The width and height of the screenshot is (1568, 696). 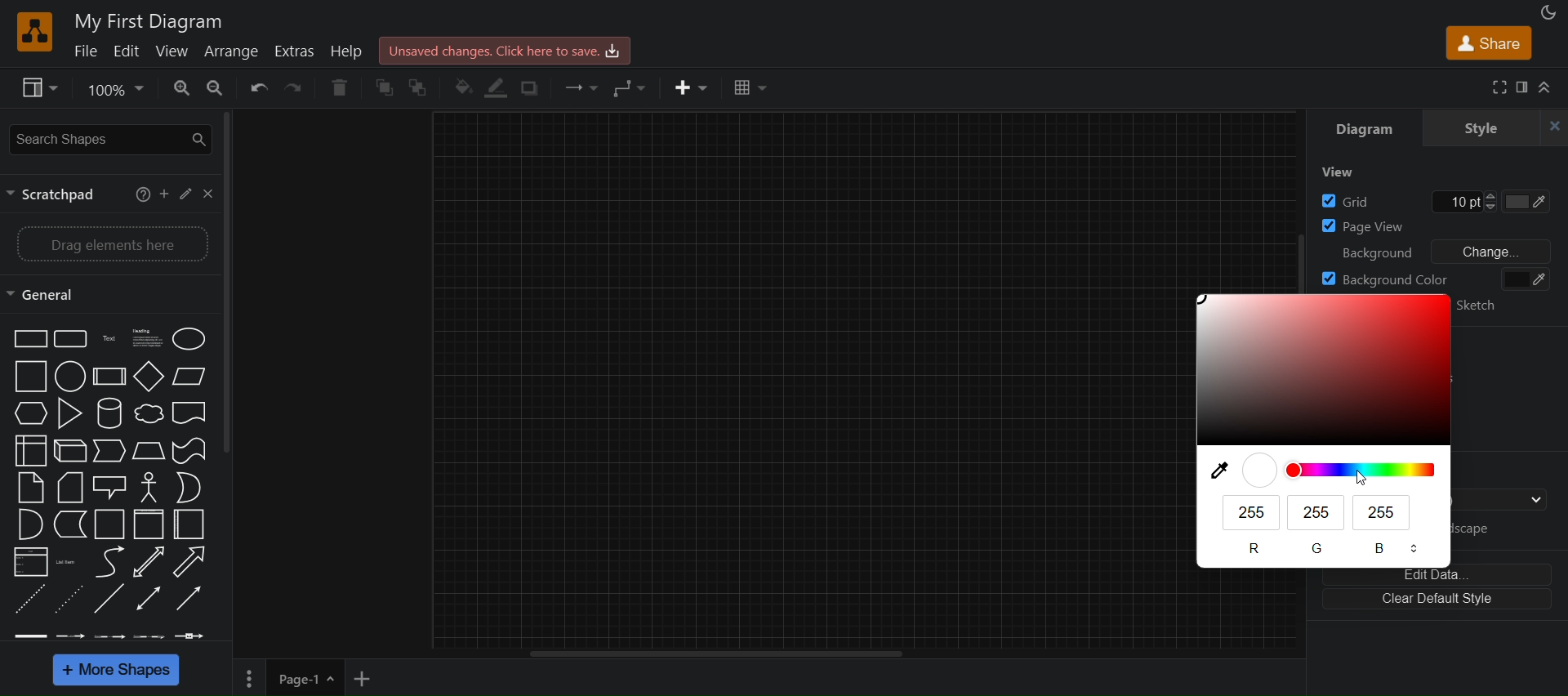 What do you see at coordinates (121, 671) in the screenshot?
I see `more shapes` at bounding box center [121, 671].